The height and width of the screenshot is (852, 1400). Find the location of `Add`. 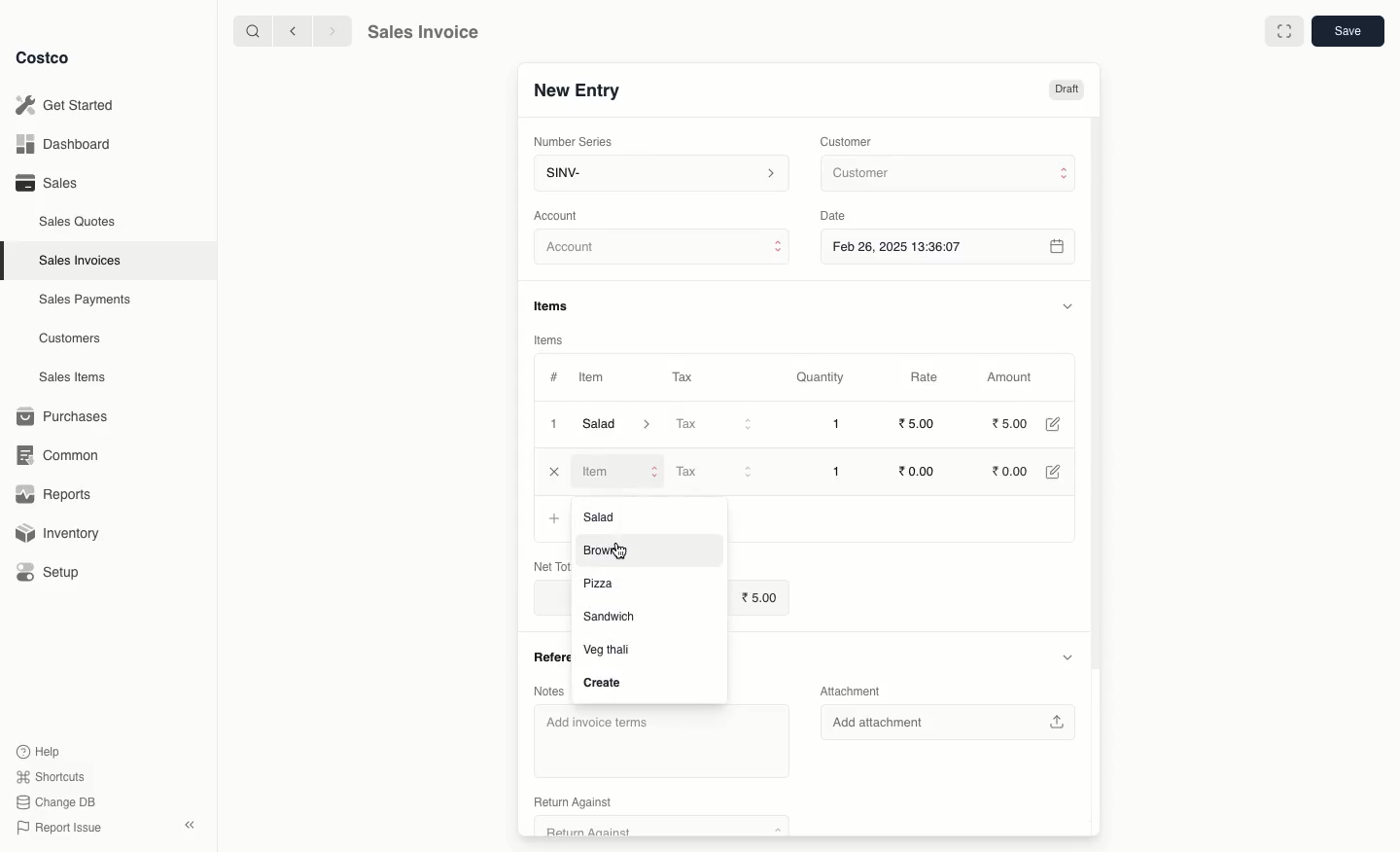

Add is located at coordinates (554, 518).